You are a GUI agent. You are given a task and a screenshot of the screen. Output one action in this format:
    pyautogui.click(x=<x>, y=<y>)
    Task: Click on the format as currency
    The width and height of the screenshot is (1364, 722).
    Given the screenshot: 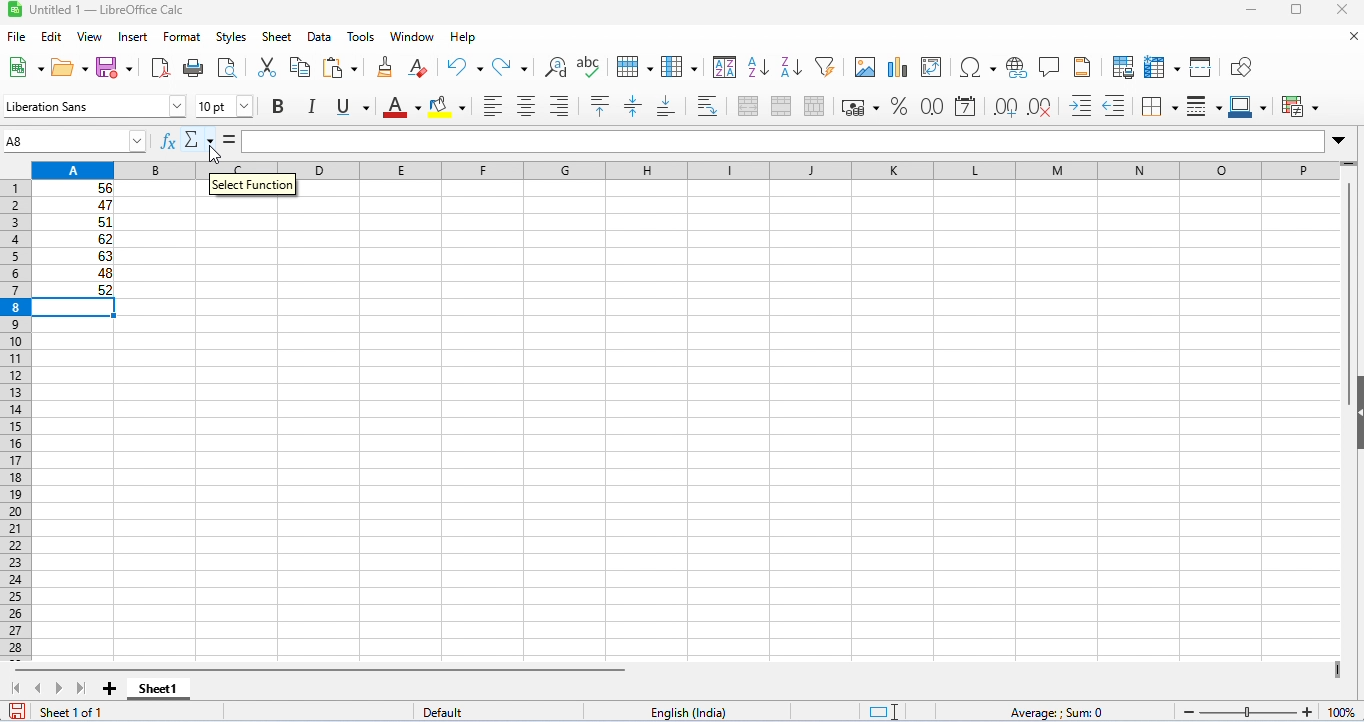 What is the action you would take?
    pyautogui.click(x=860, y=106)
    